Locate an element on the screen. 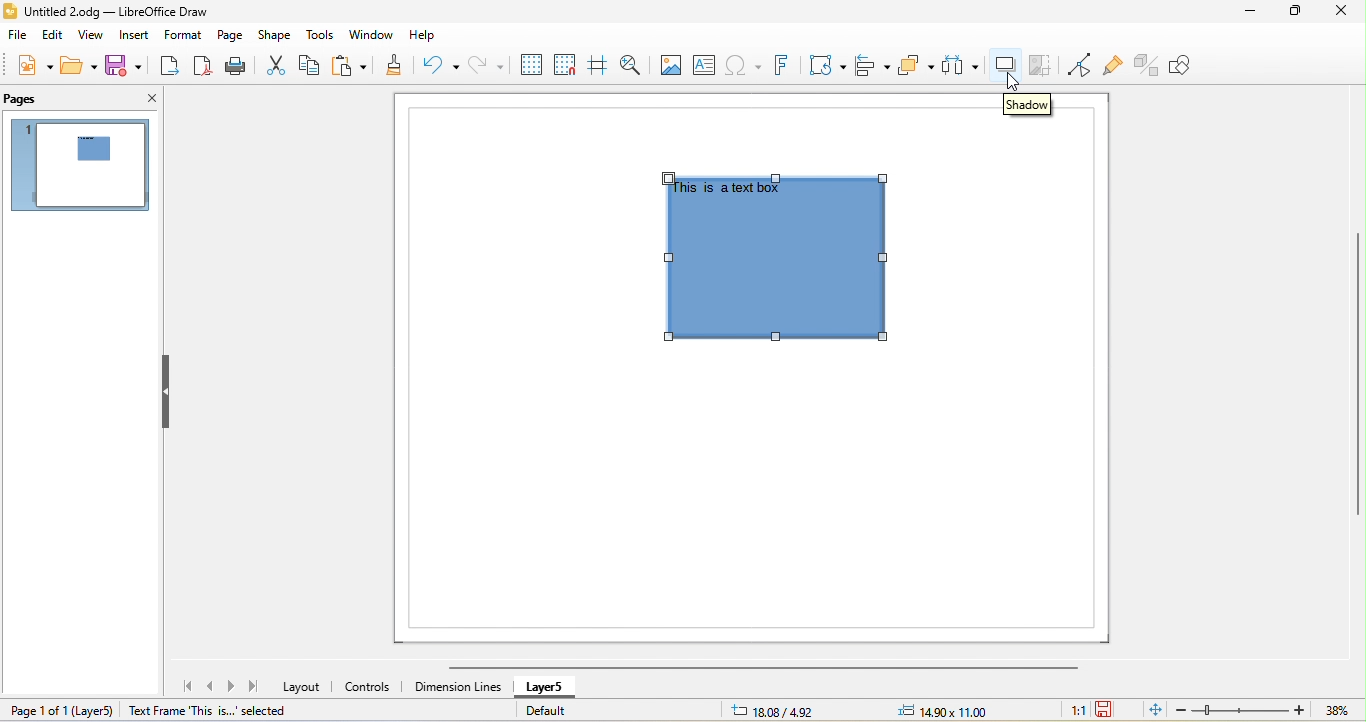  18.08/4.92 is located at coordinates (776, 710).